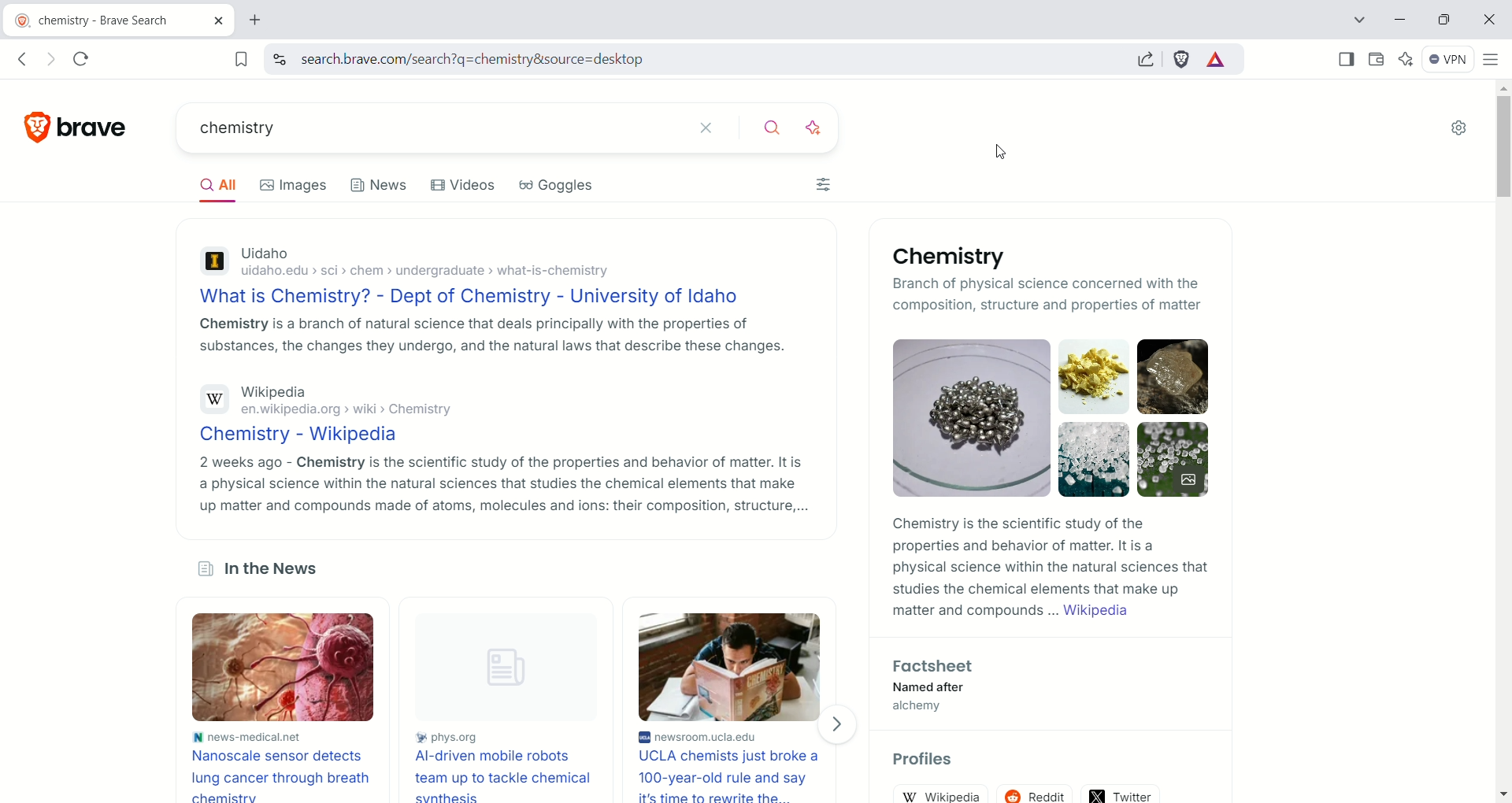  What do you see at coordinates (1376, 61) in the screenshot?
I see `wallet` at bounding box center [1376, 61].